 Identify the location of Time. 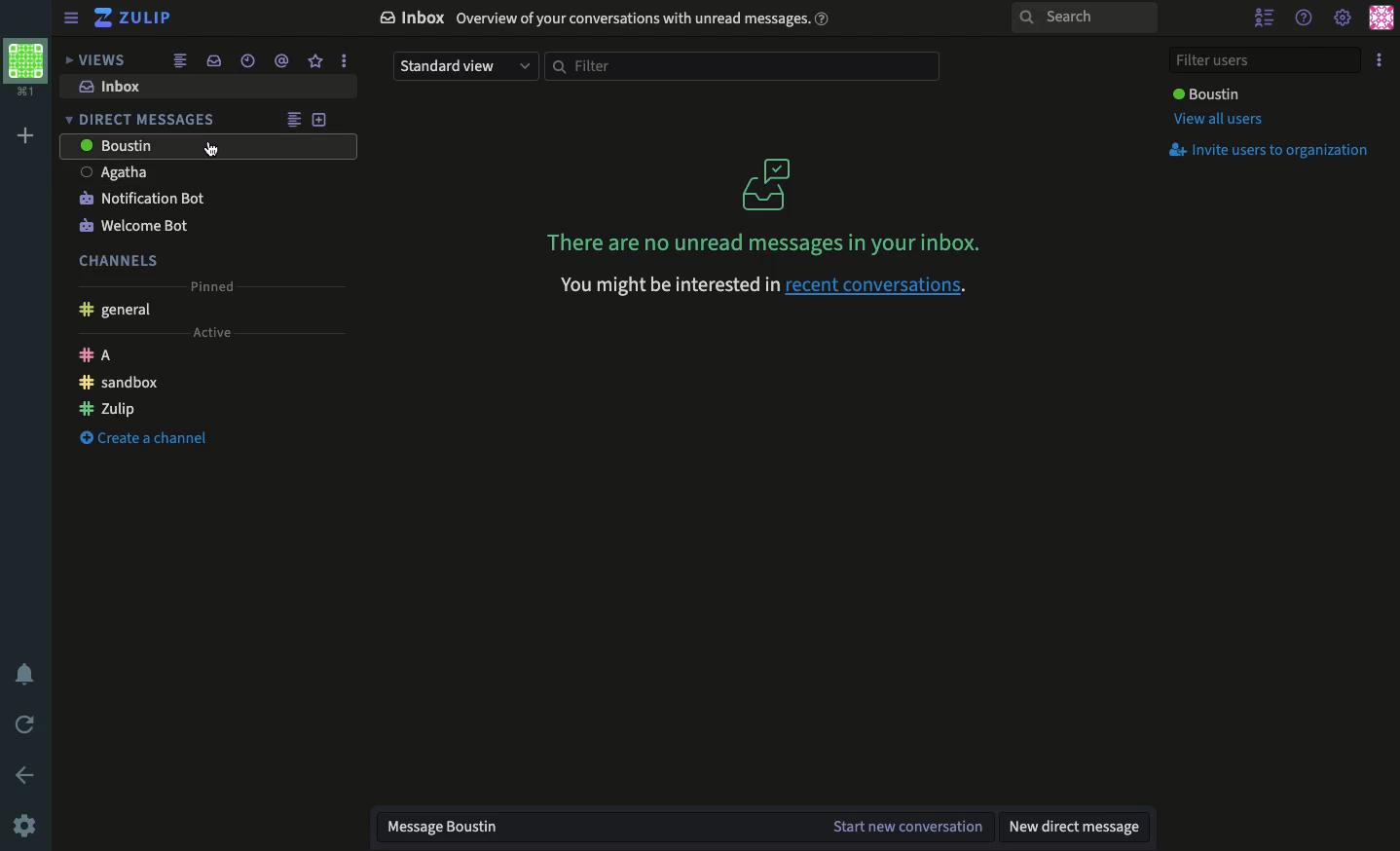
(246, 59).